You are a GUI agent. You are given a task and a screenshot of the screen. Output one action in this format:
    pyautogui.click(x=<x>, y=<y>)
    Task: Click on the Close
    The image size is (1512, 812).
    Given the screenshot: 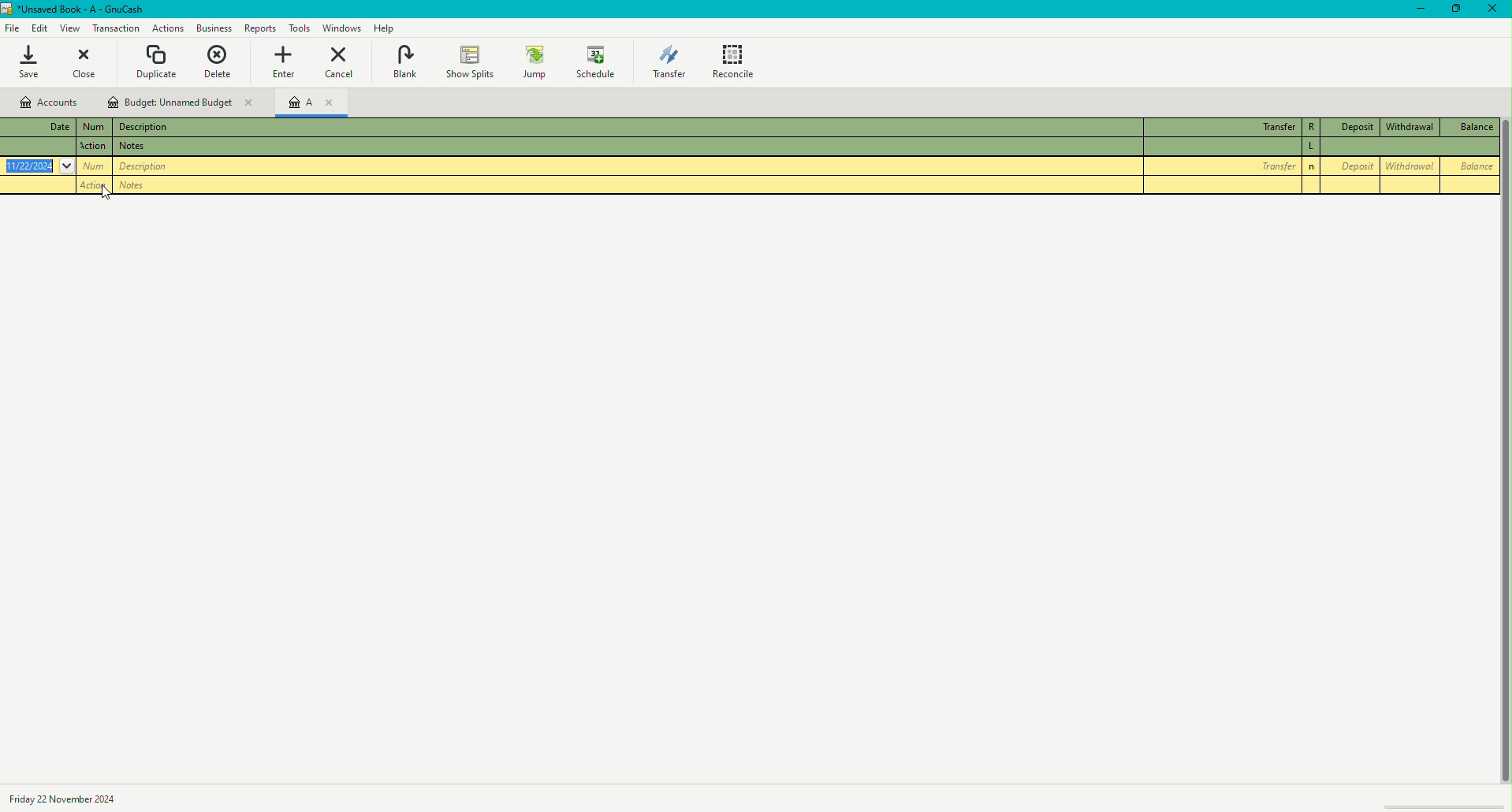 What is the action you would take?
    pyautogui.click(x=1496, y=9)
    